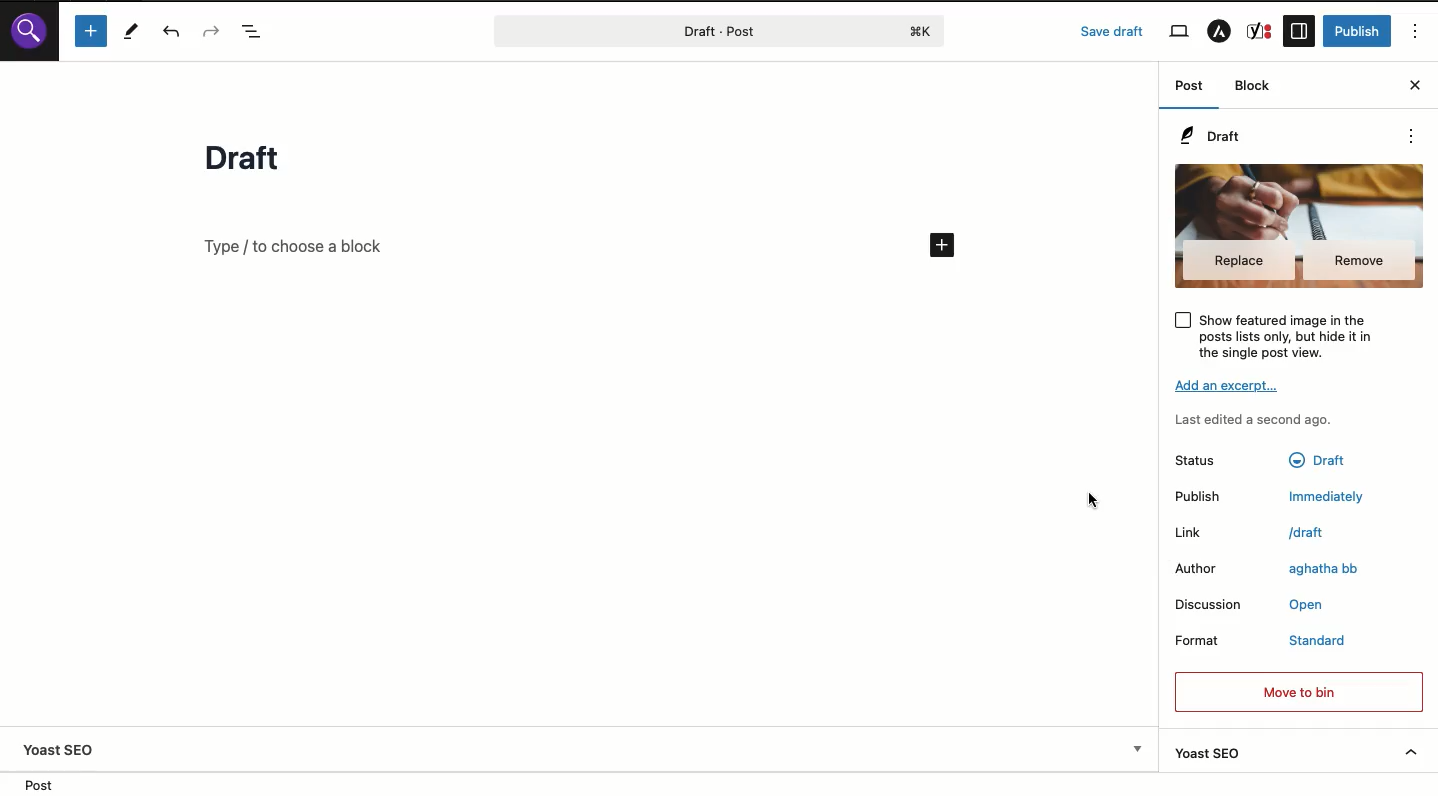 The height and width of the screenshot is (796, 1438). Describe the element at coordinates (1137, 748) in the screenshot. I see `Drop-down ` at that location.